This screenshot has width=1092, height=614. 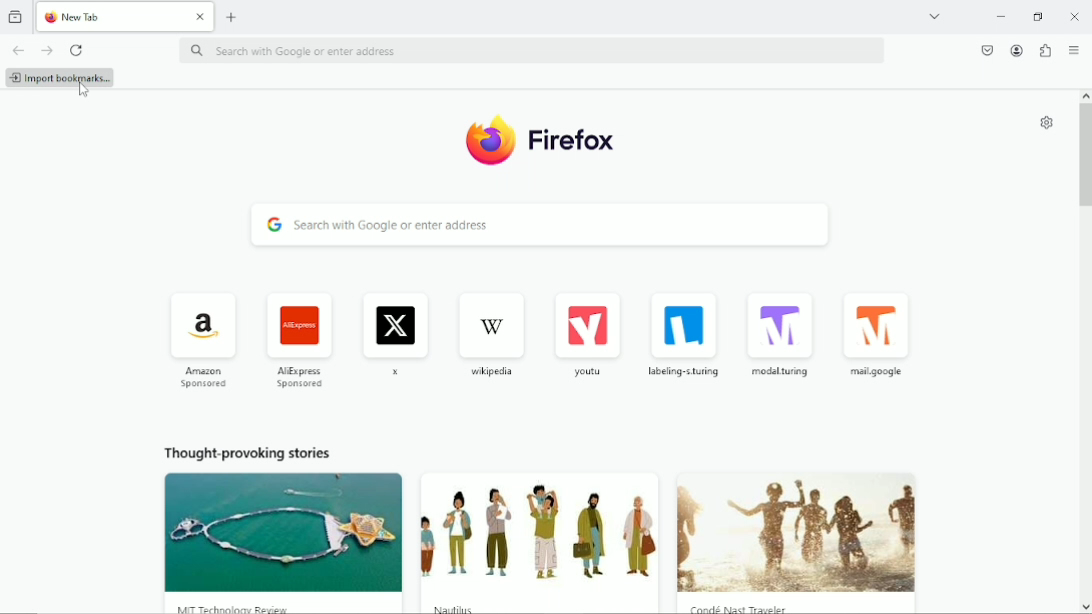 What do you see at coordinates (1085, 156) in the screenshot?
I see `vertical scrollbar` at bounding box center [1085, 156].